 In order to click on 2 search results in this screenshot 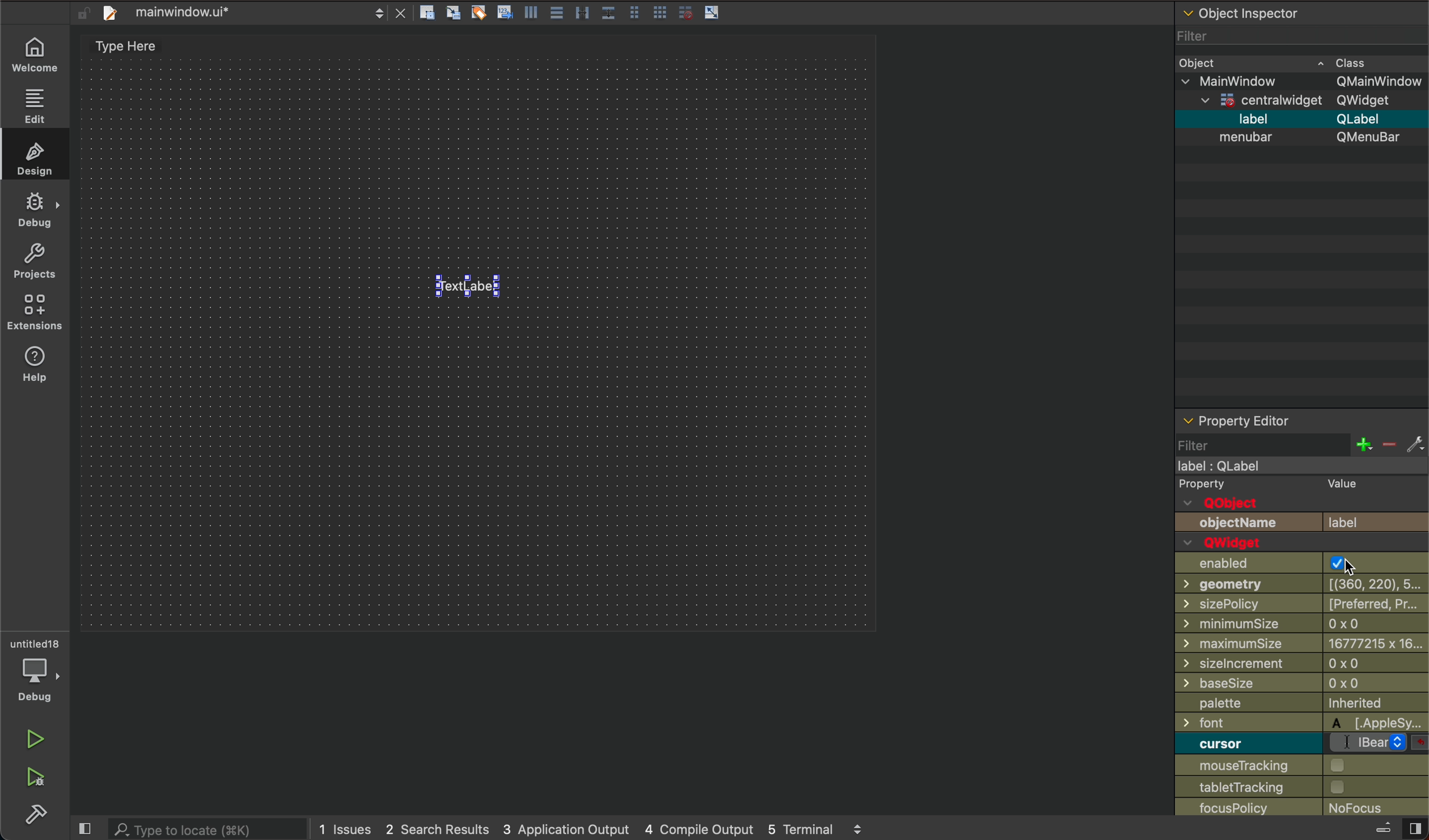, I will do `click(435, 825)`.